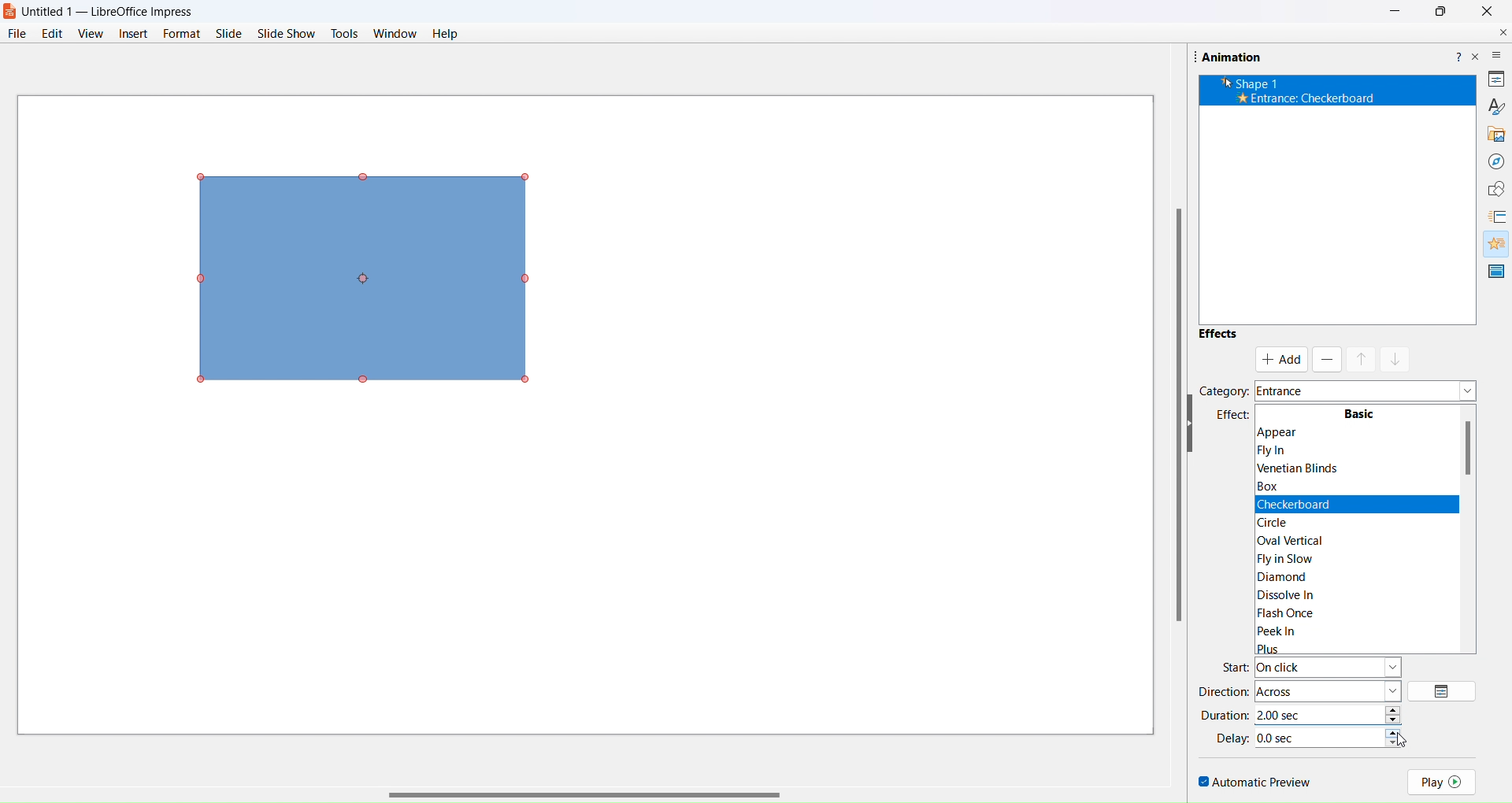 This screenshot has width=1512, height=803. What do you see at coordinates (1443, 780) in the screenshot?
I see `play` at bounding box center [1443, 780].